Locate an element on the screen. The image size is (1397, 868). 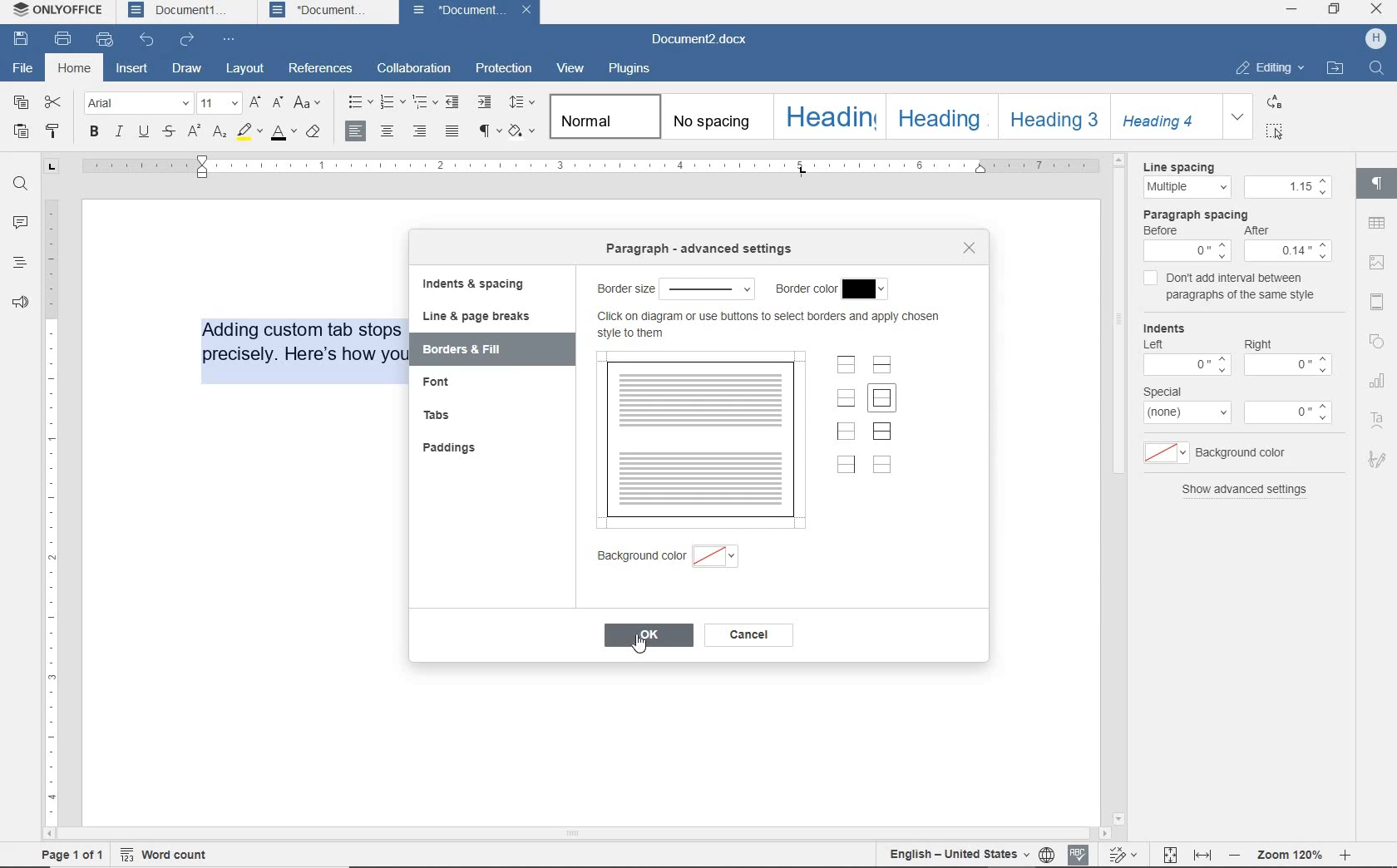
onlyoffice tab is located at coordinates (55, 12).